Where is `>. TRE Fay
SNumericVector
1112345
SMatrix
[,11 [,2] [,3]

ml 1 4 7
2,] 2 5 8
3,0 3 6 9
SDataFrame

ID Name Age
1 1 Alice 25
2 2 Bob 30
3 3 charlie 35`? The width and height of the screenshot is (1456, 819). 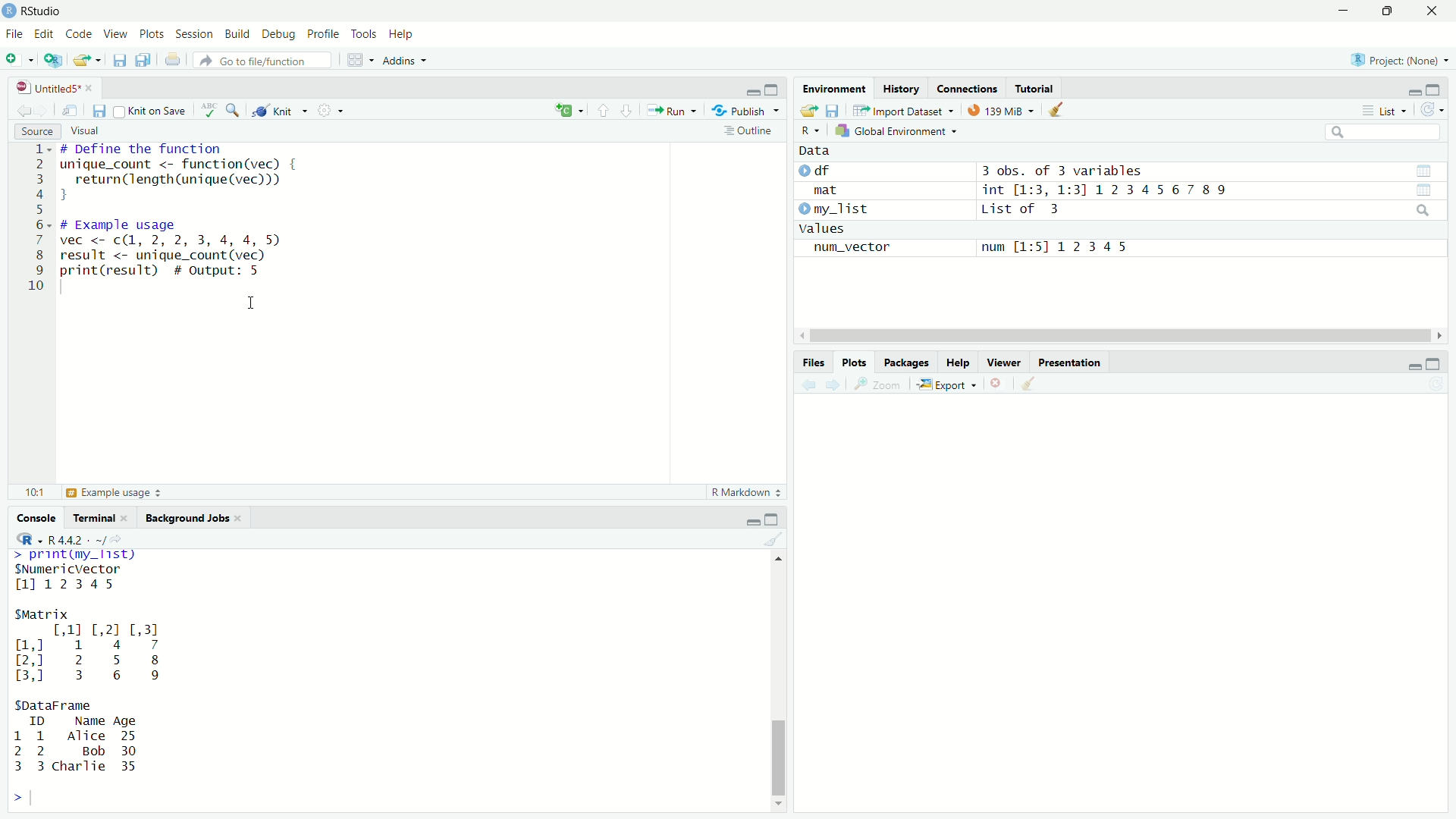
>. TRE Fay
SNumericVector
1112345
SMatrix
[,11 [,2] [,3]

ml 1 4 7
2,] 2 5 8
3,0 3 6 9
SDataFrame

ID Name Age
1 1 Alice 25
2 2 Bob 30
3 3 charlie 35 is located at coordinates (92, 666).